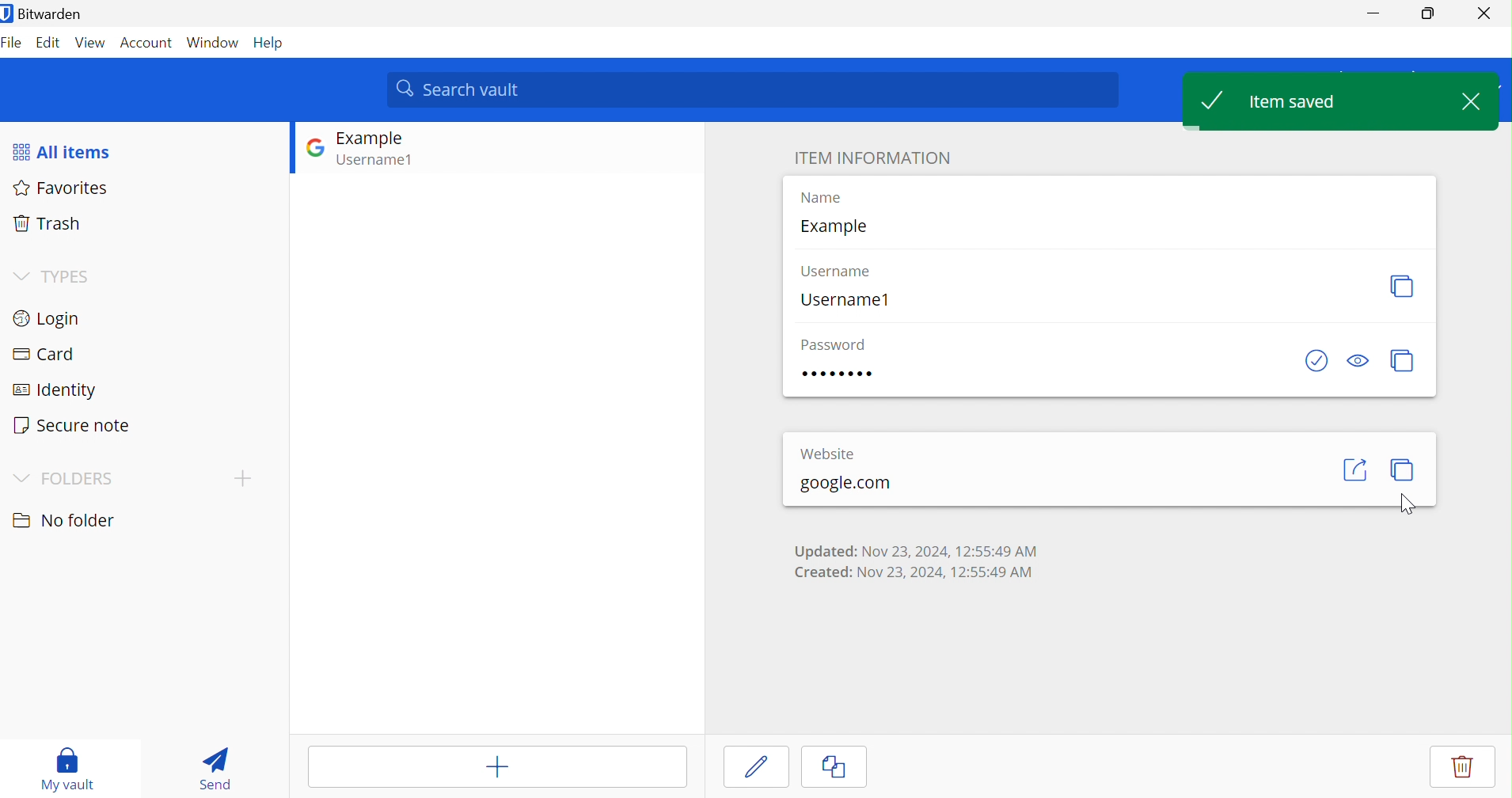 This screenshot has width=1512, height=798. Describe the element at coordinates (91, 42) in the screenshot. I see `View` at that location.